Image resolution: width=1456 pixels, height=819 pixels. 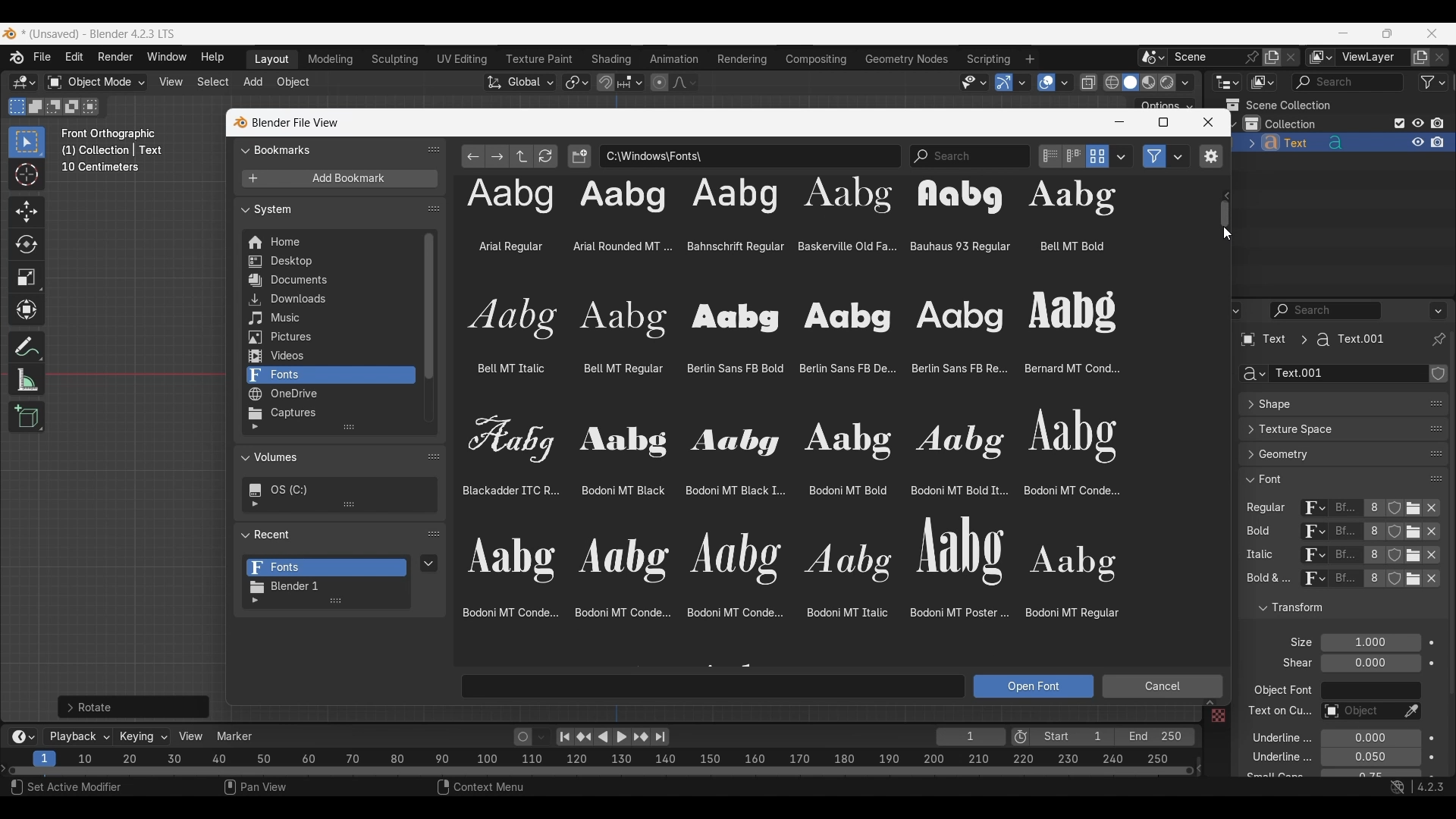 I want to click on Underline Thickness, so click(x=1370, y=758).